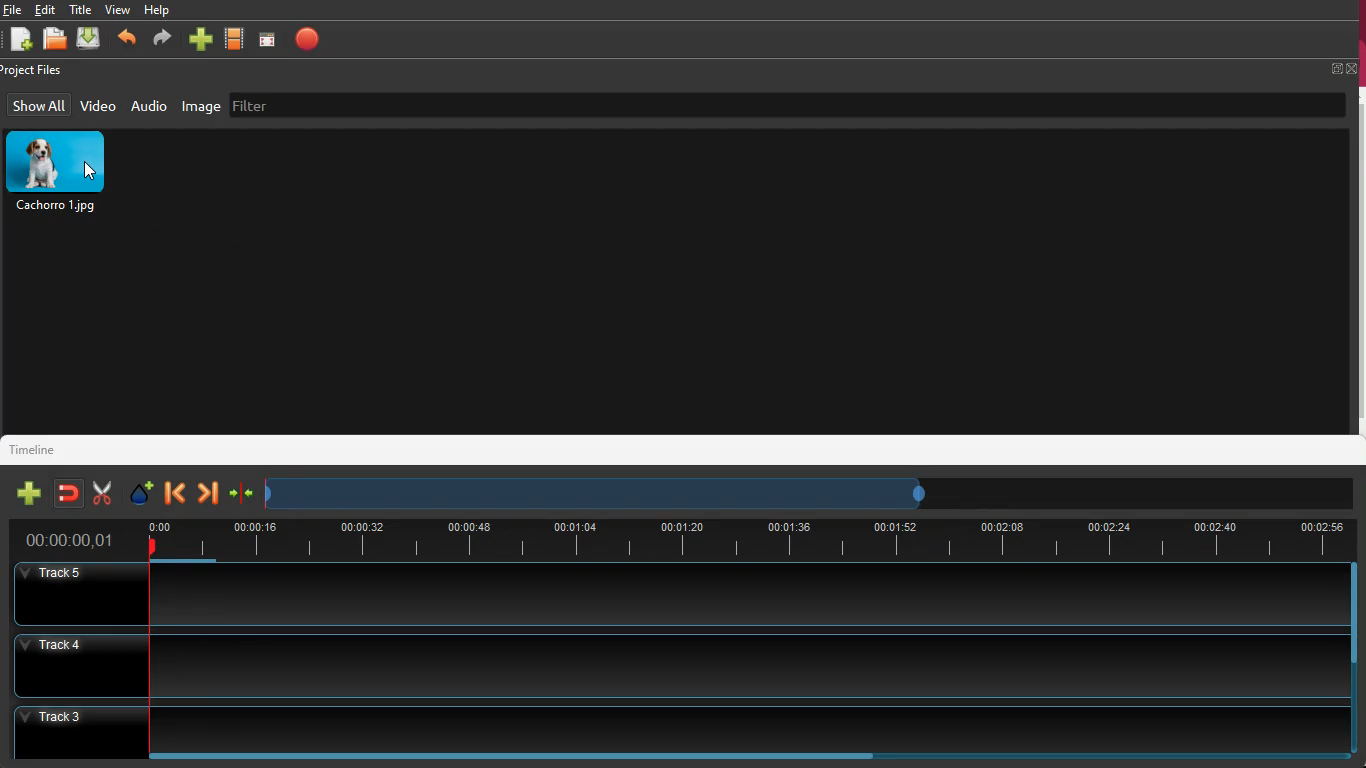 The width and height of the screenshot is (1366, 768). What do you see at coordinates (138, 492) in the screenshot?
I see `effect` at bounding box center [138, 492].